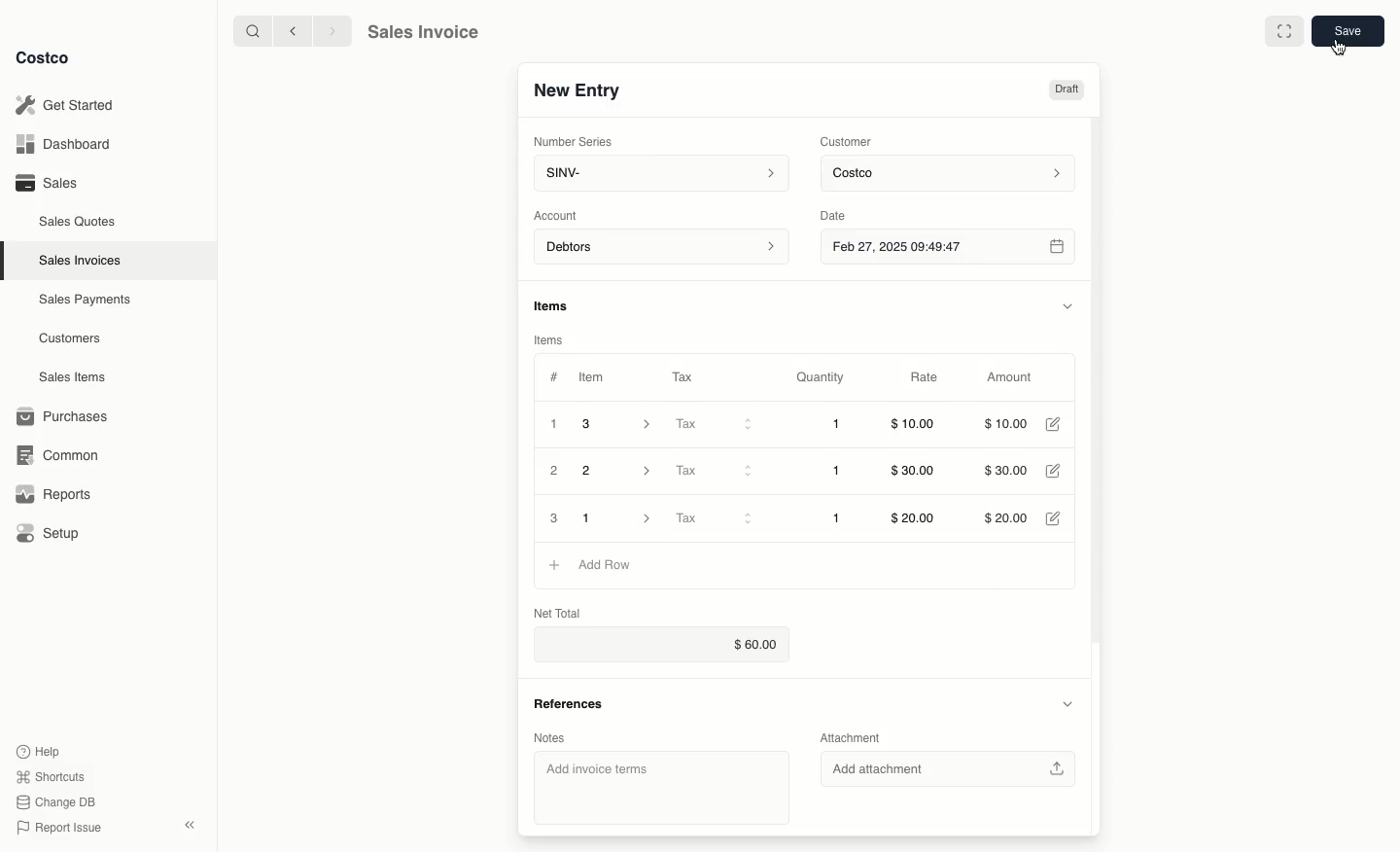 This screenshot has width=1400, height=852. What do you see at coordinates (63, 416) in the screenshot?
I see `Purchases` at bounding box center [63, 416].